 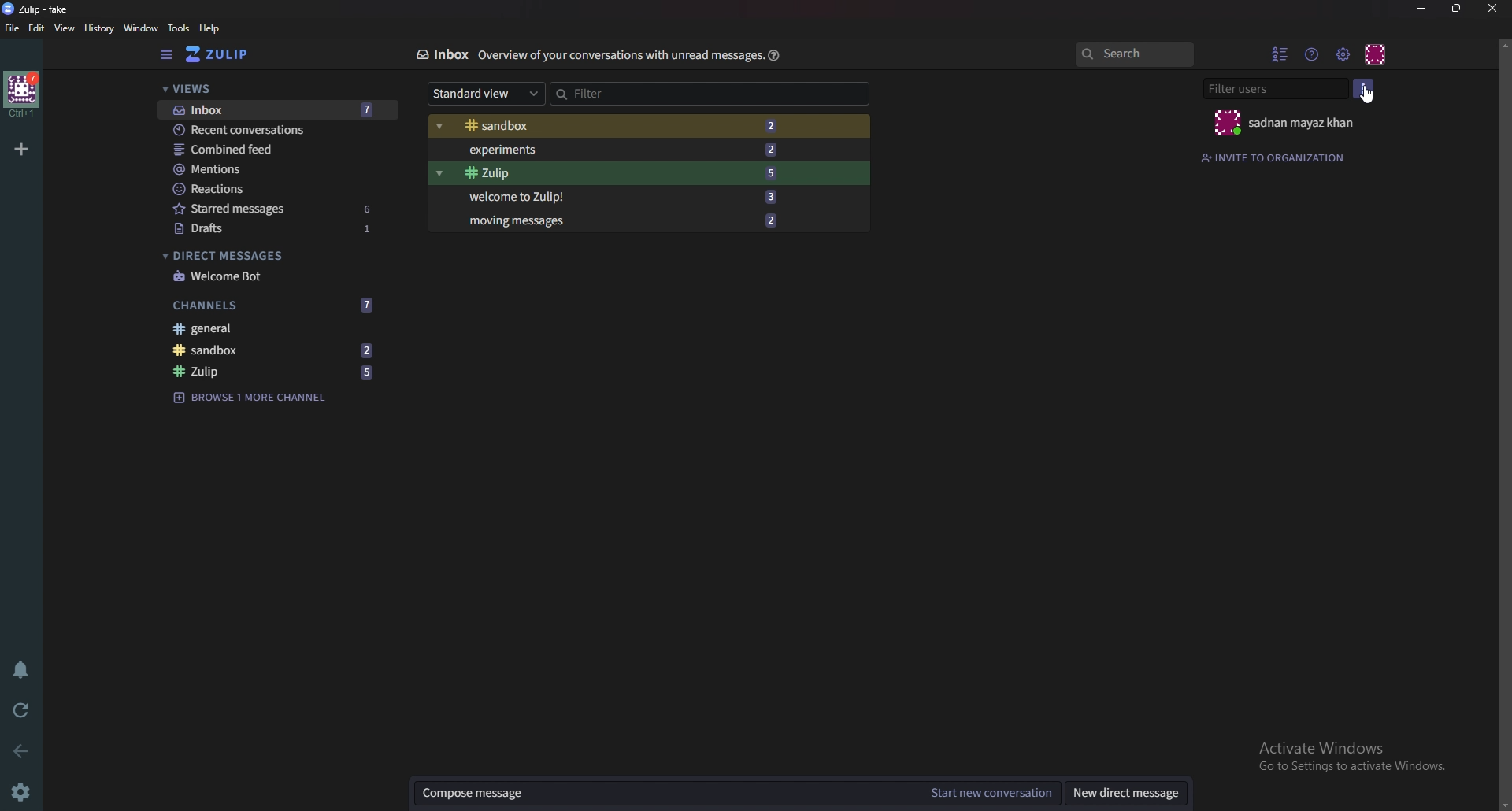 What do you see at coordinates (66, 29) in the screenshot?
I see `view` at bounding box center [66, 29].